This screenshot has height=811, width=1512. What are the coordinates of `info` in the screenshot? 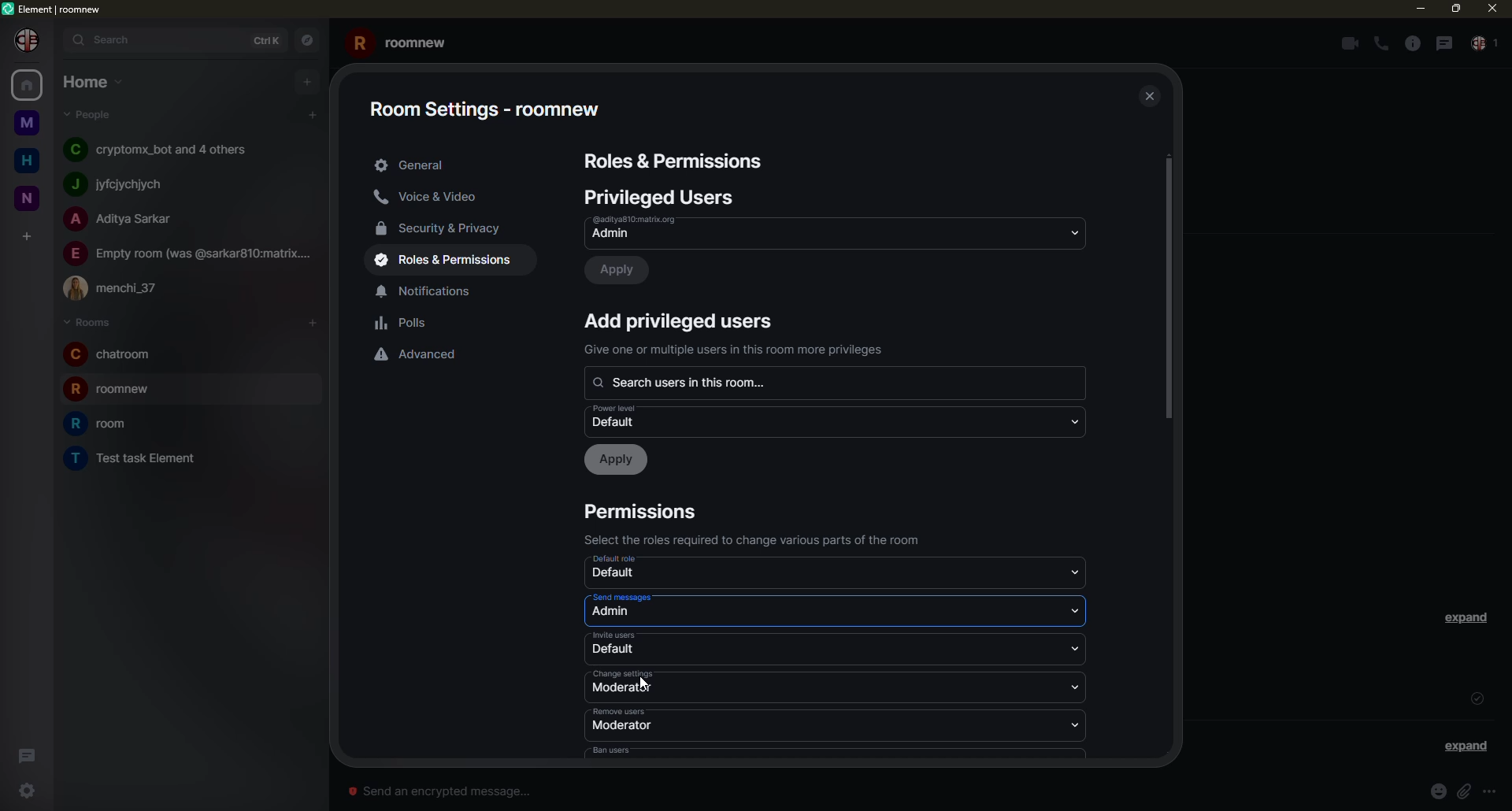 It's located at (1410, 43).